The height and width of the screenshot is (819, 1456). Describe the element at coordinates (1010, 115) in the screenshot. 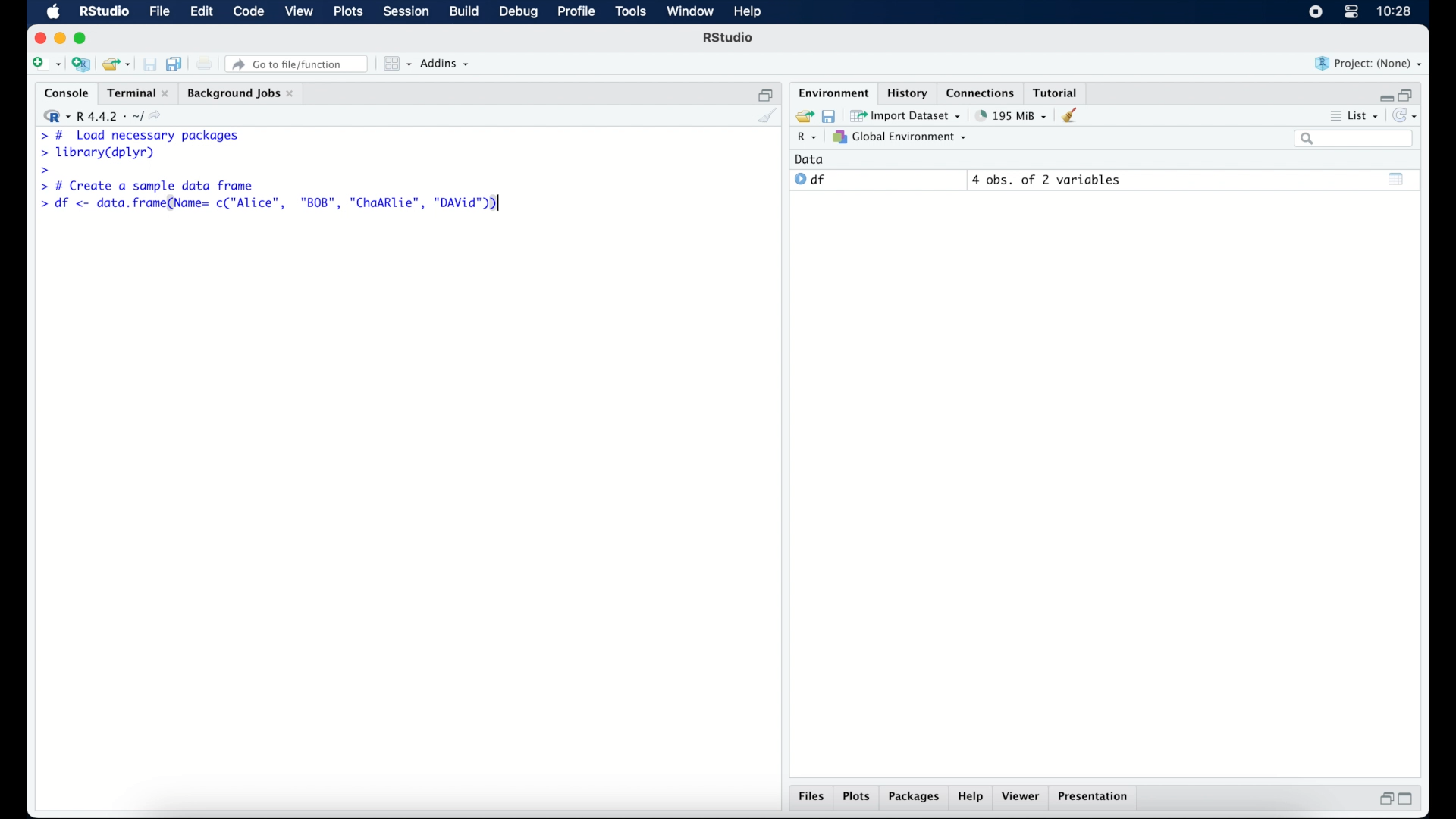

I see `195 MB` at that location.